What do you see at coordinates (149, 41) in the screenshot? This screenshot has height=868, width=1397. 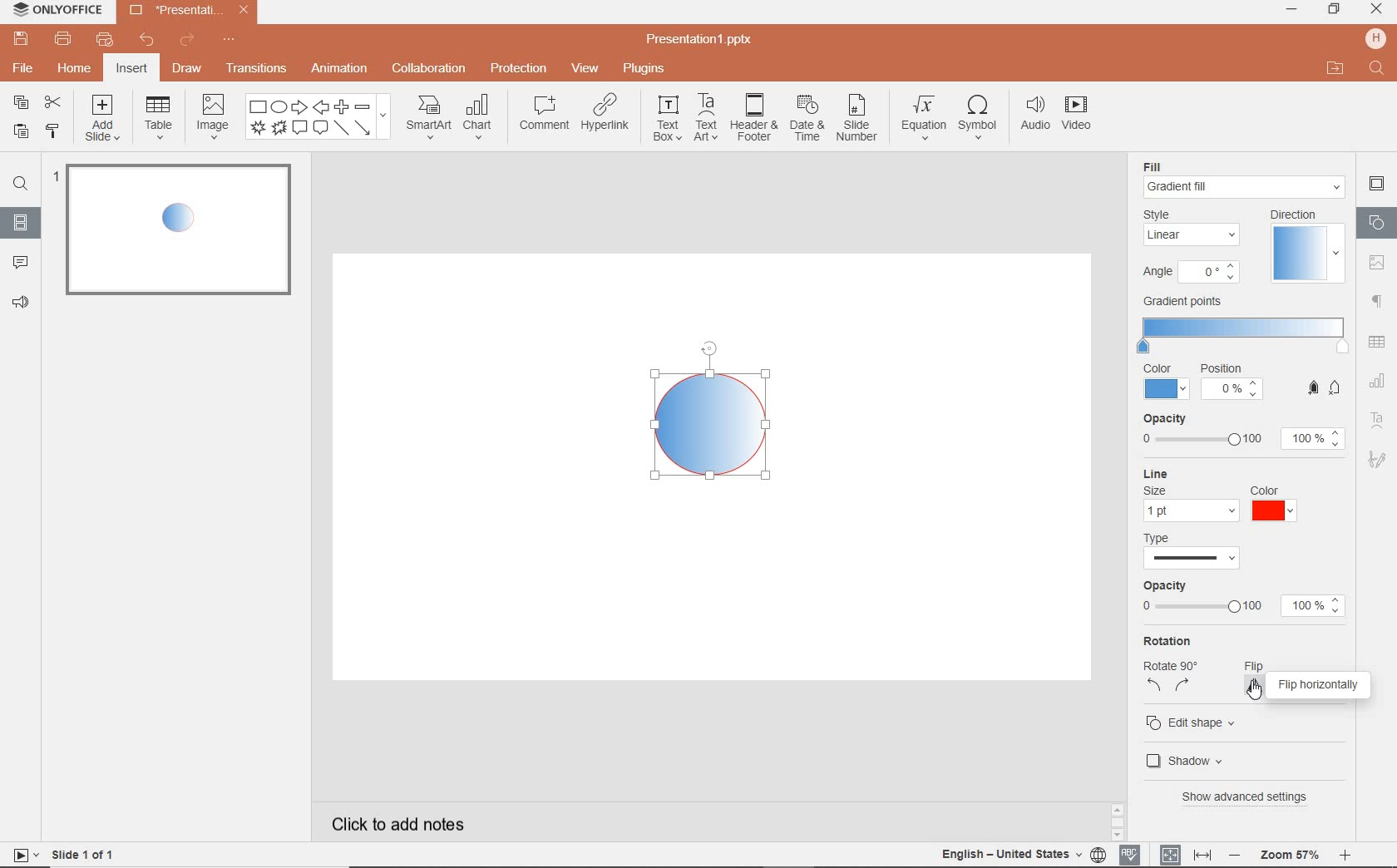 I see `undo` at bounding box center [149, 41].